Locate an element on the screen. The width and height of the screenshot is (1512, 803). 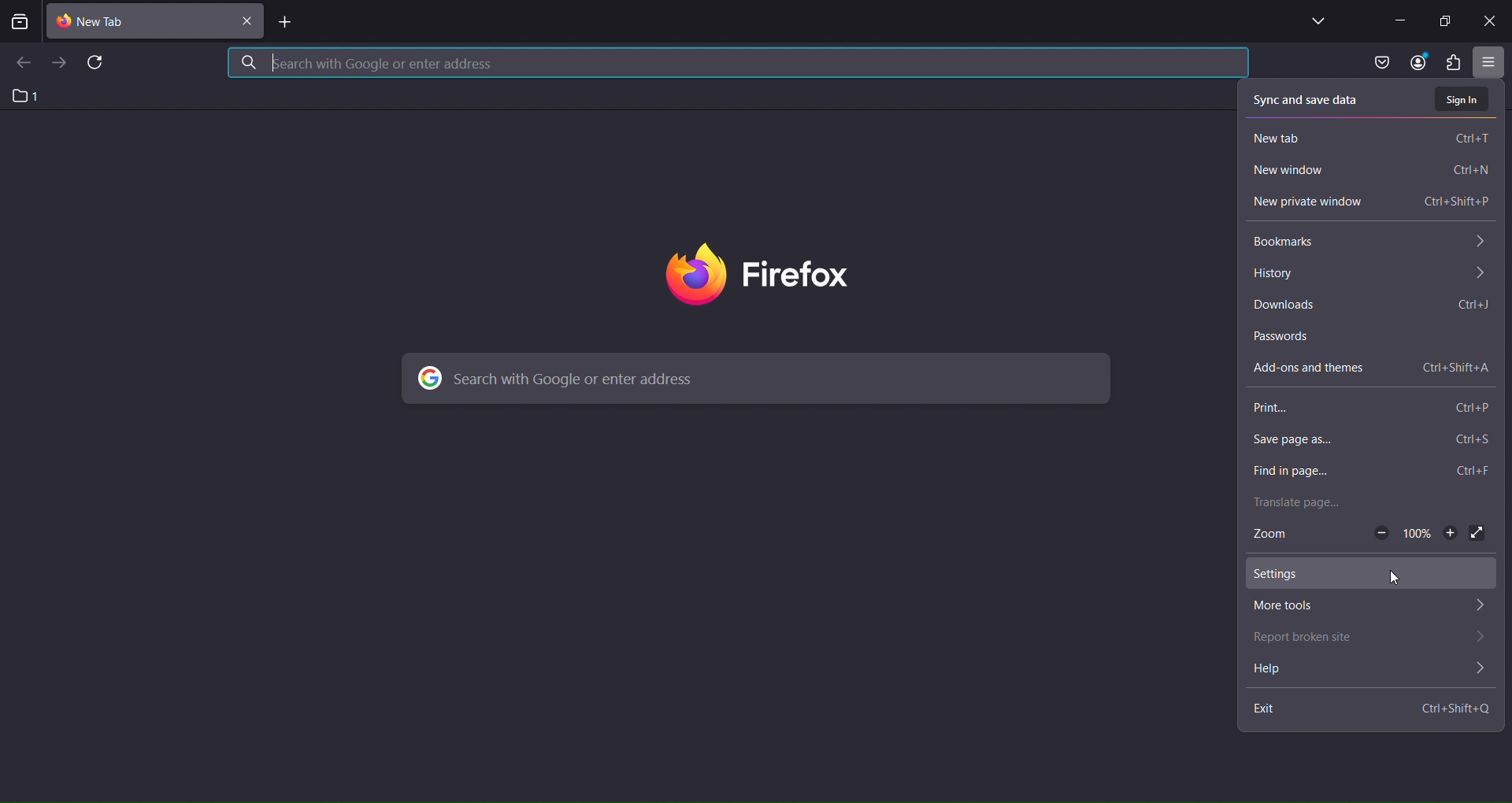
sign in is located at coordinates (1463, 100).